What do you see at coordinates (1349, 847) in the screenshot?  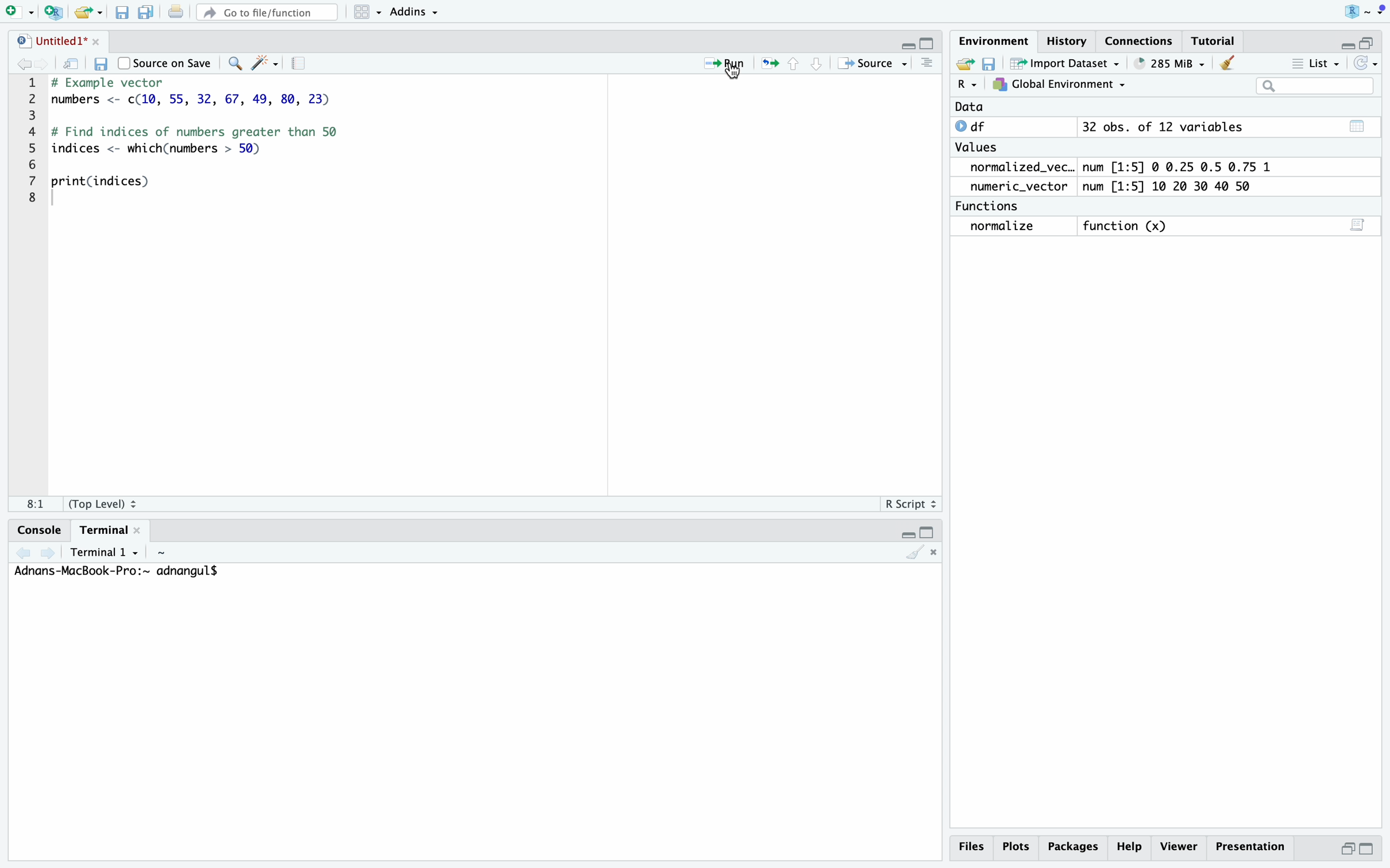 I see `minimise` at bounding box center [1349, 847].